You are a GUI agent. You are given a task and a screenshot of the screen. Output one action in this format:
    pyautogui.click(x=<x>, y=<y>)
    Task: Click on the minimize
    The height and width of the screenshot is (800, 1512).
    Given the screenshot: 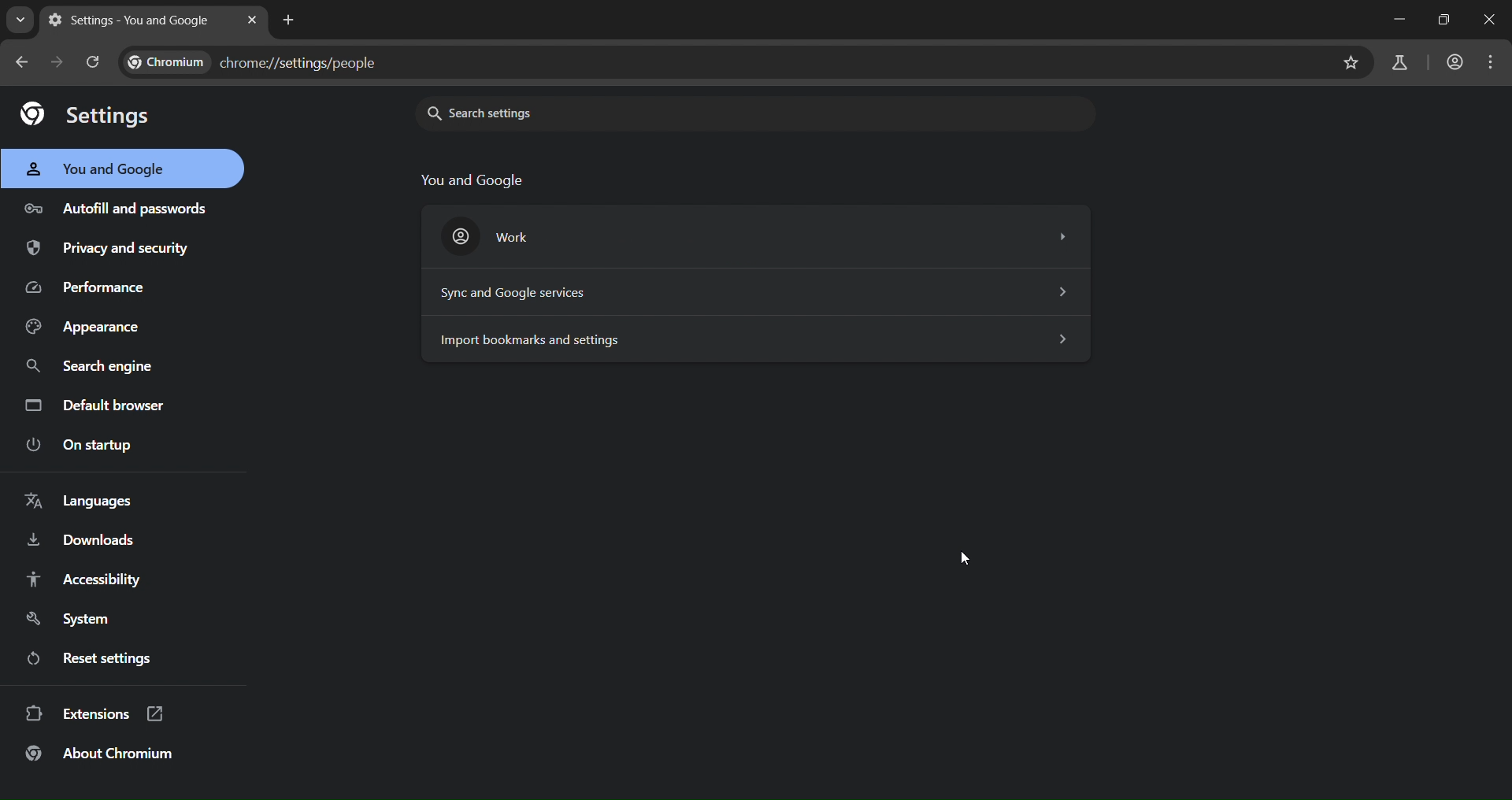 What is the action you would take?
    pyautogui.click(x=1384, y=22)
    